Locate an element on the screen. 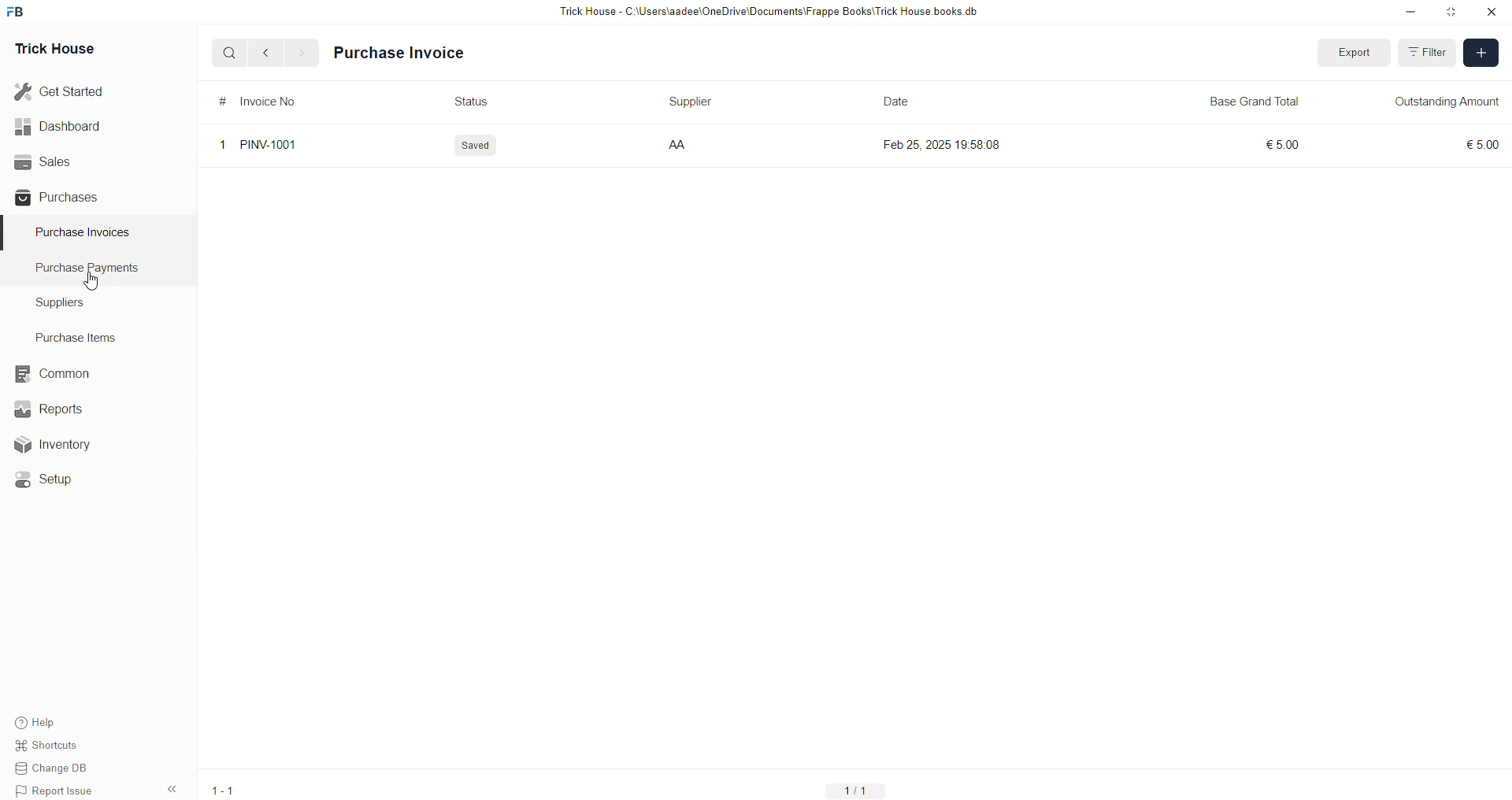   Get Started is located at coordinates (60, 90).